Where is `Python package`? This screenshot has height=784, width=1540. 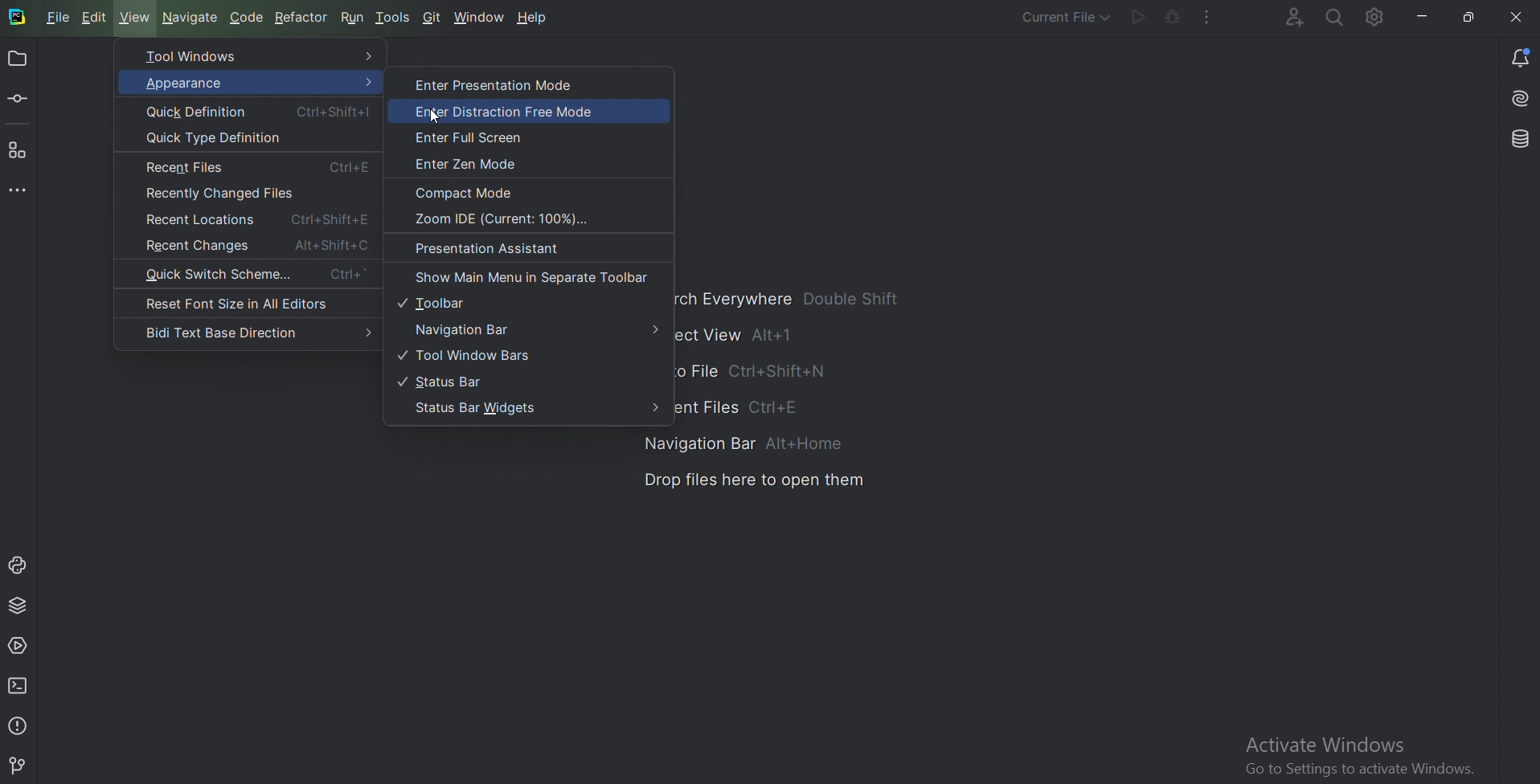
Python package is located at coordinates (18, 604).